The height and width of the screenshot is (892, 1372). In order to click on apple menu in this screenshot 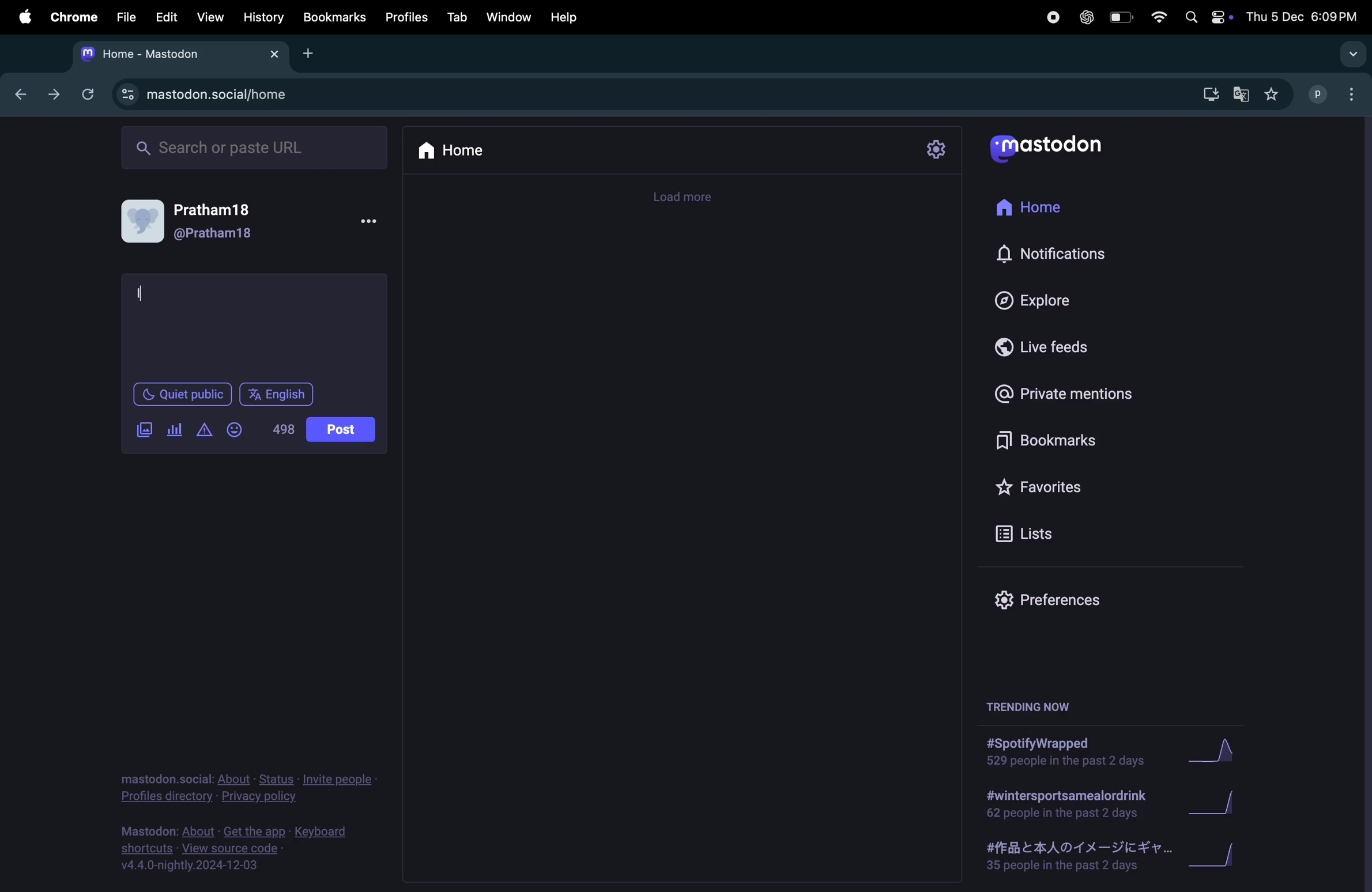, I will do `click(24, 17)`.